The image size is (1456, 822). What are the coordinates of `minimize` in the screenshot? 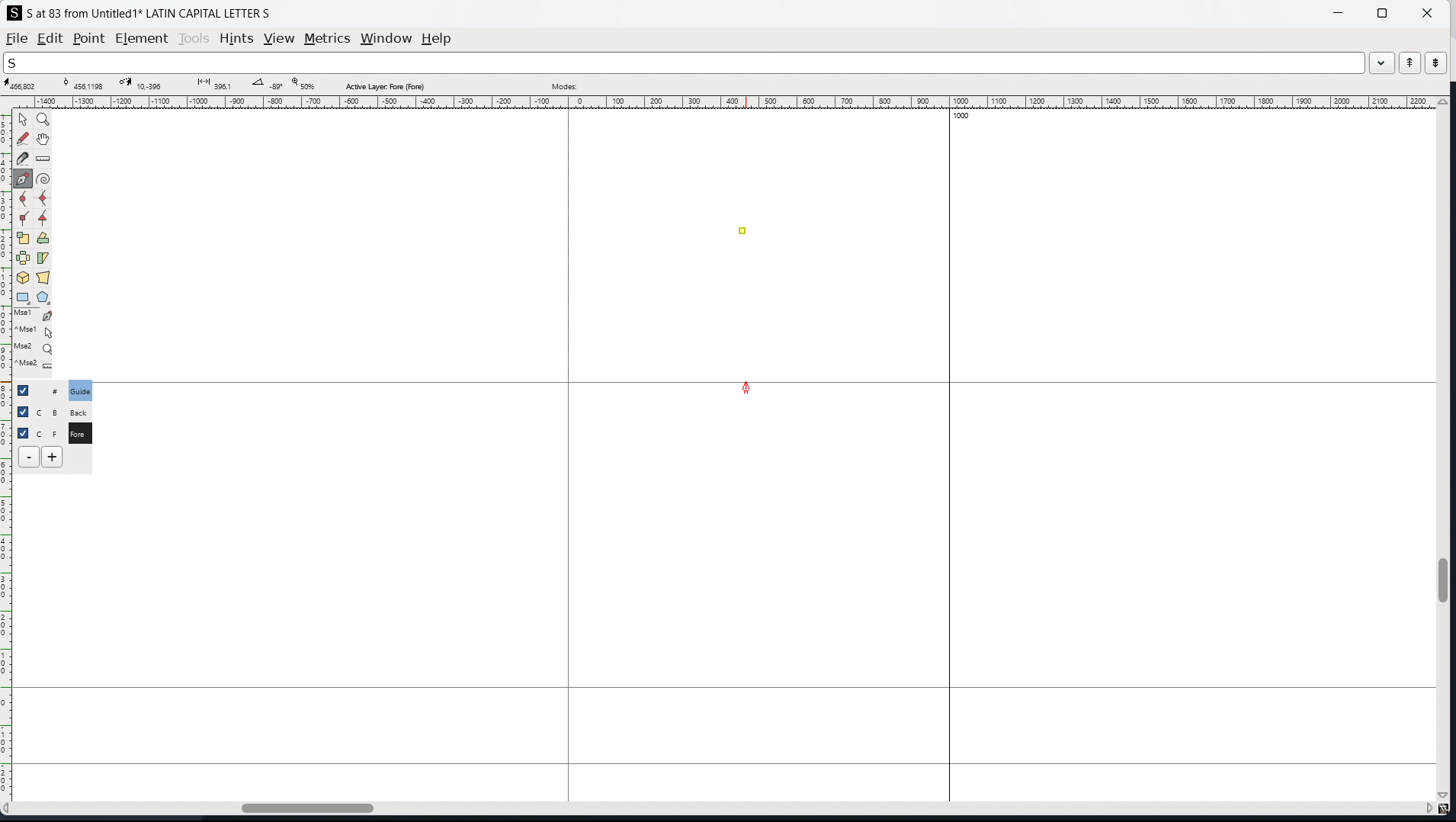 It's located at (1340, 11).